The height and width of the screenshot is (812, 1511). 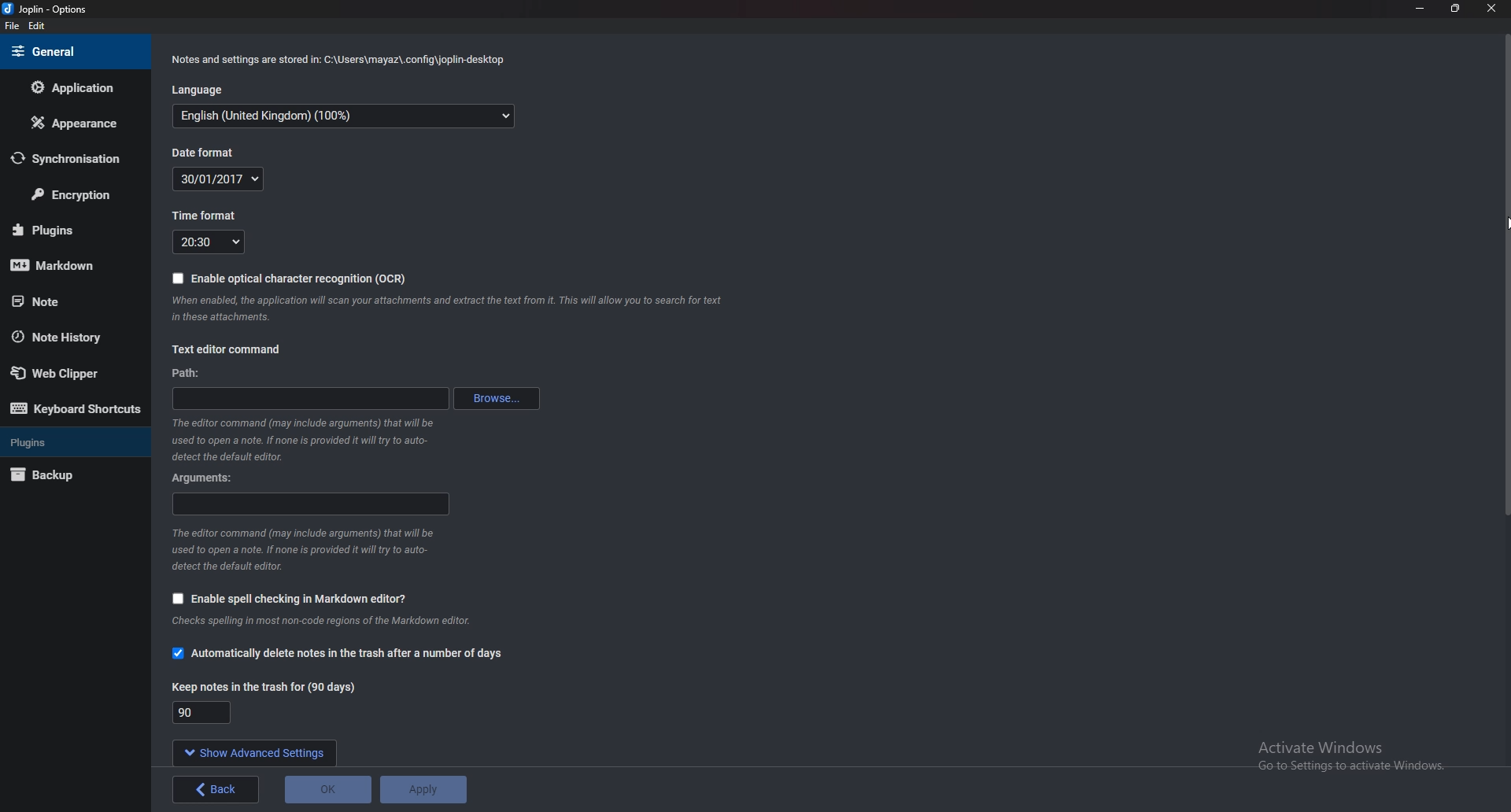 I want to click on Keep notes in the trash for, so click(x=201, y=712).